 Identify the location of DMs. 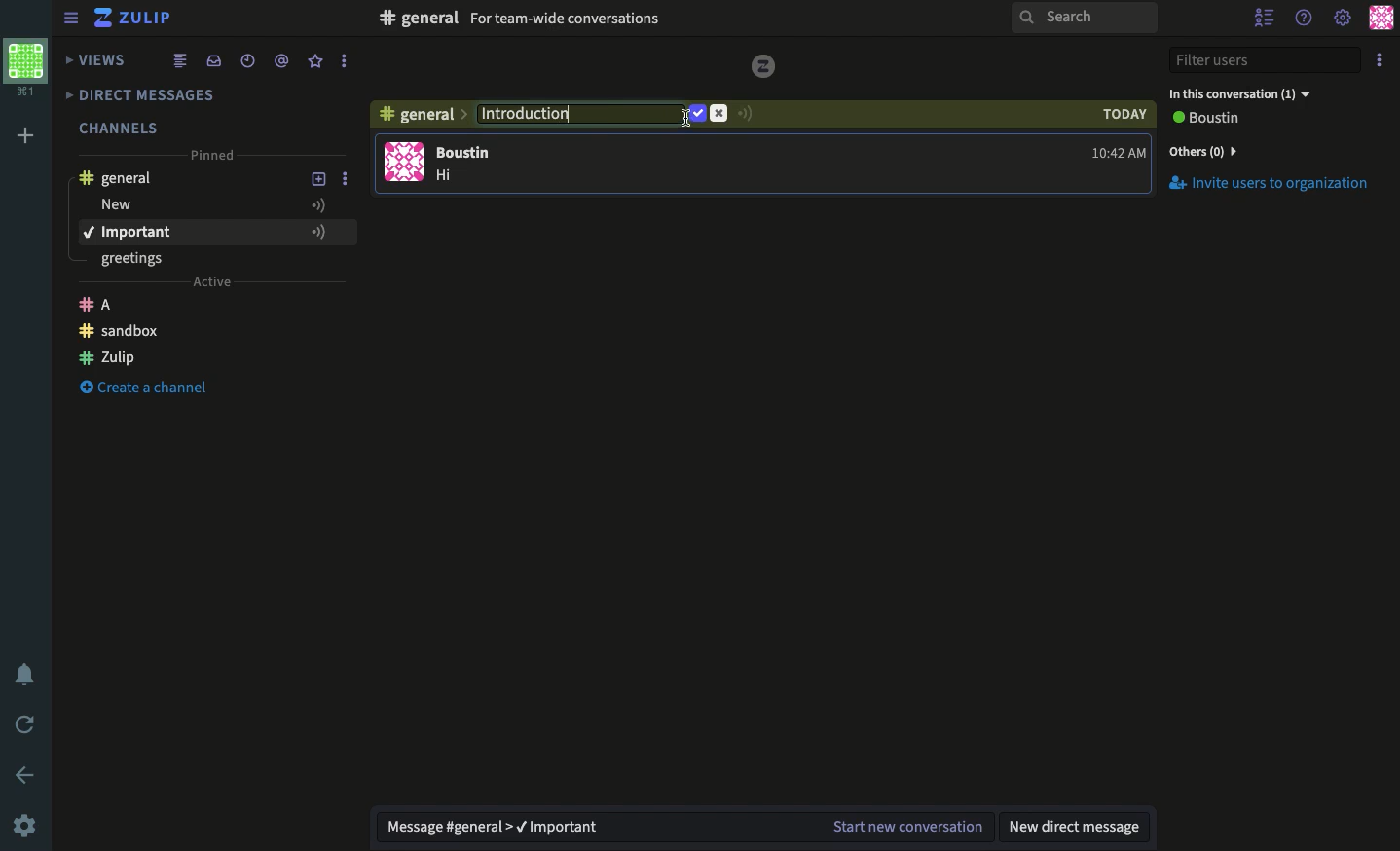
(153, 95).